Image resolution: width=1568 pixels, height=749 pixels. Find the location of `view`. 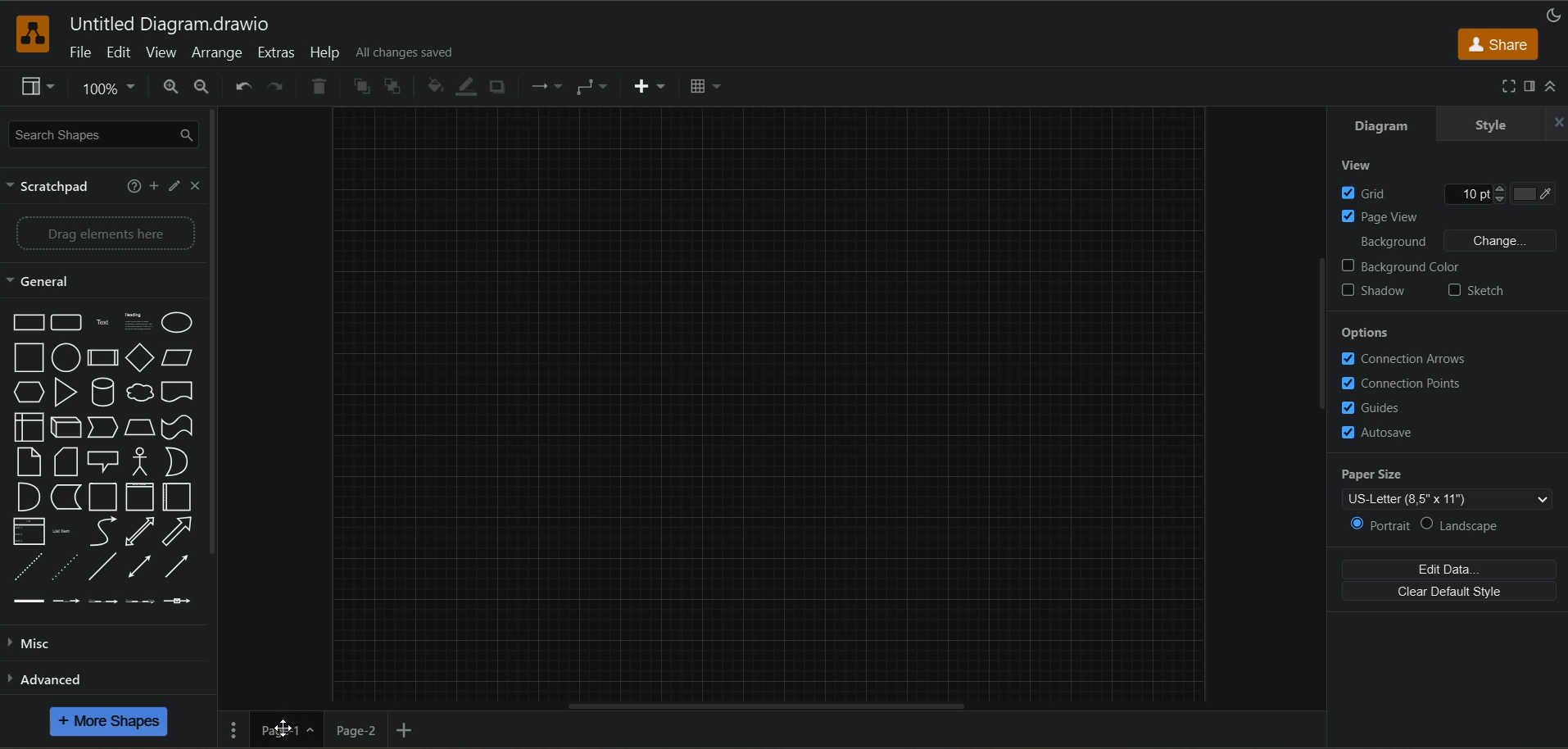

view is located at coordinates (163, 53).